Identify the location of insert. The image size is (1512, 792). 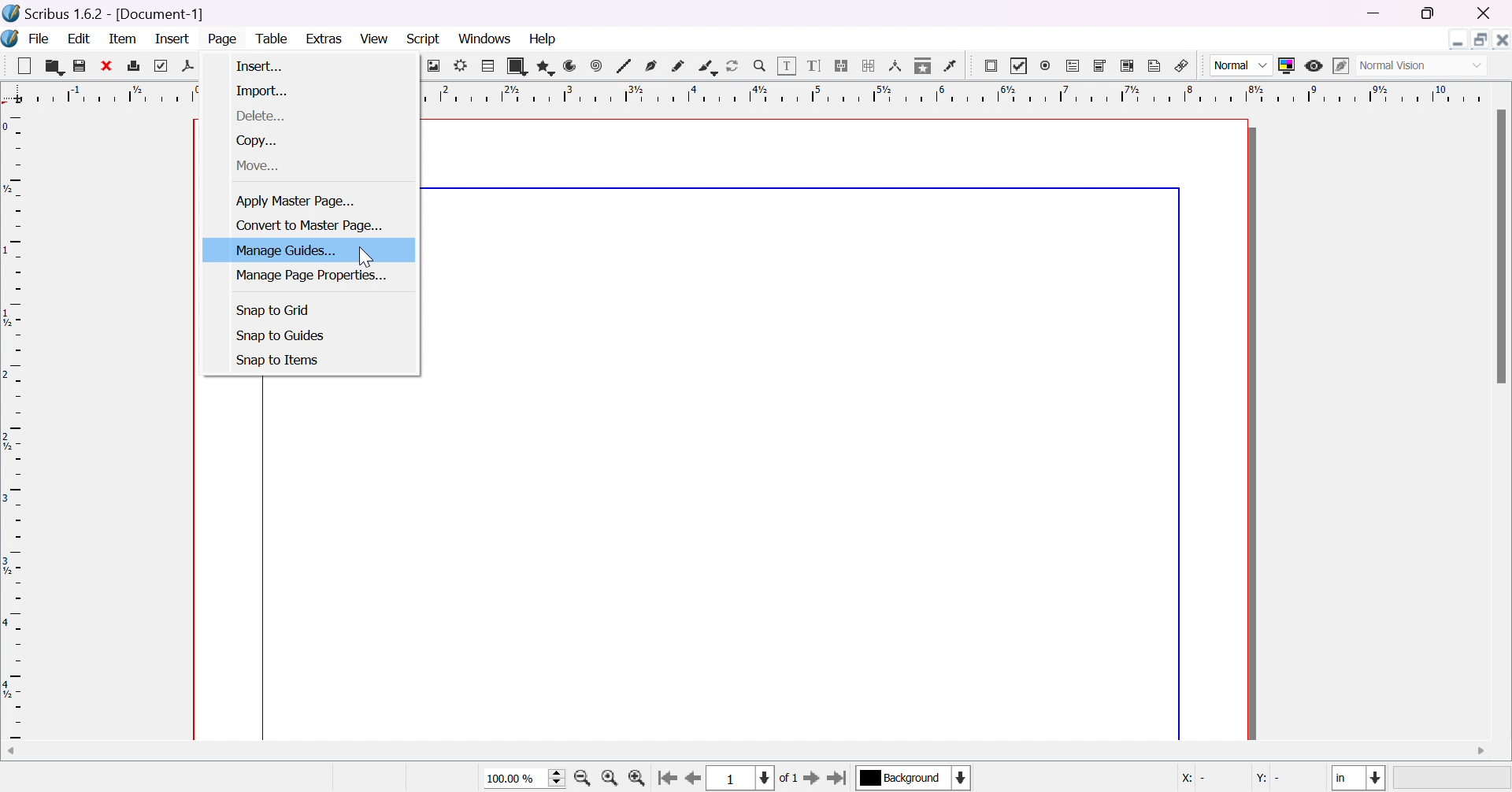
(261, 65).